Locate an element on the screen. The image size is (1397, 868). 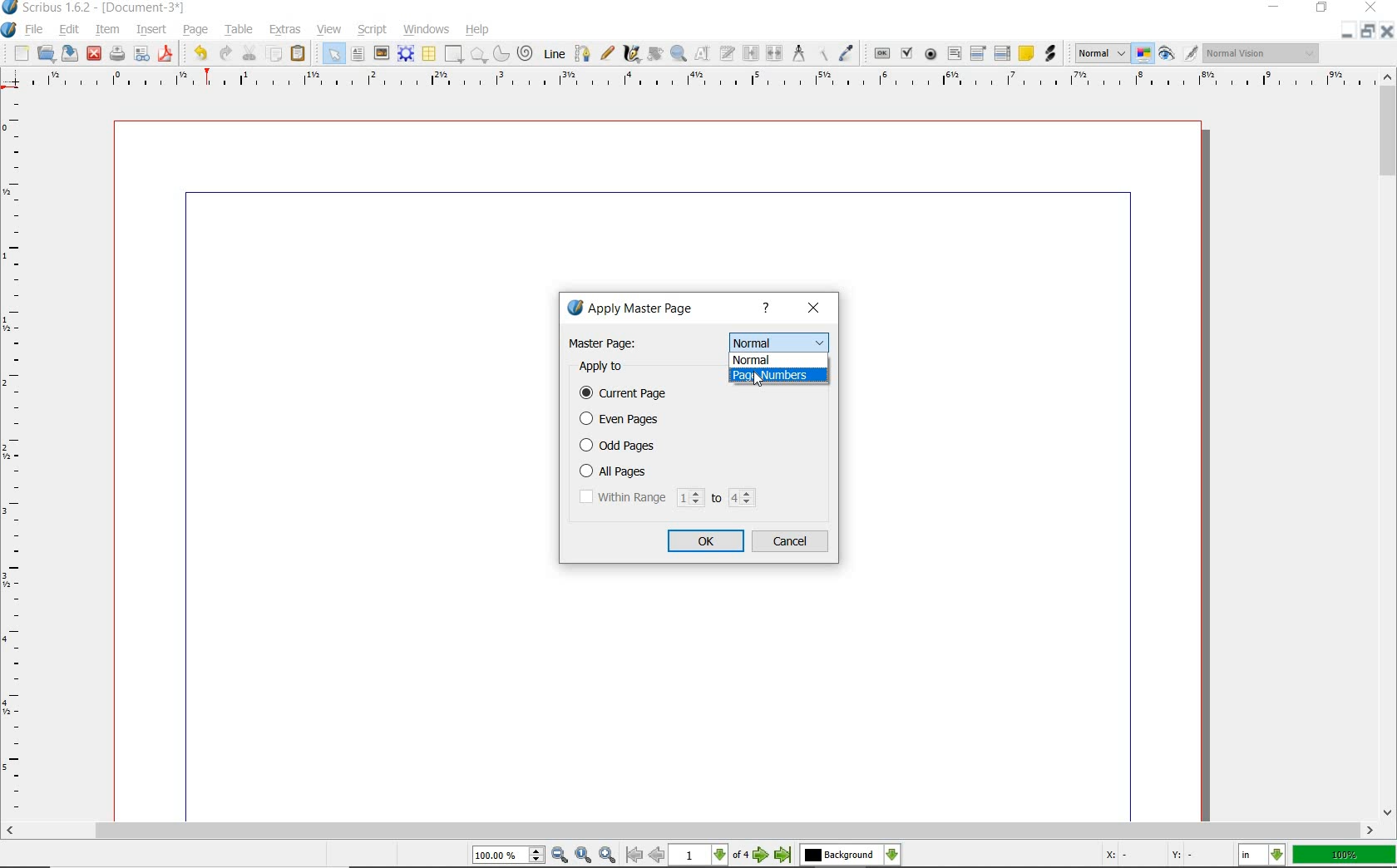
Zoom In is located at coordinates (607, 856).